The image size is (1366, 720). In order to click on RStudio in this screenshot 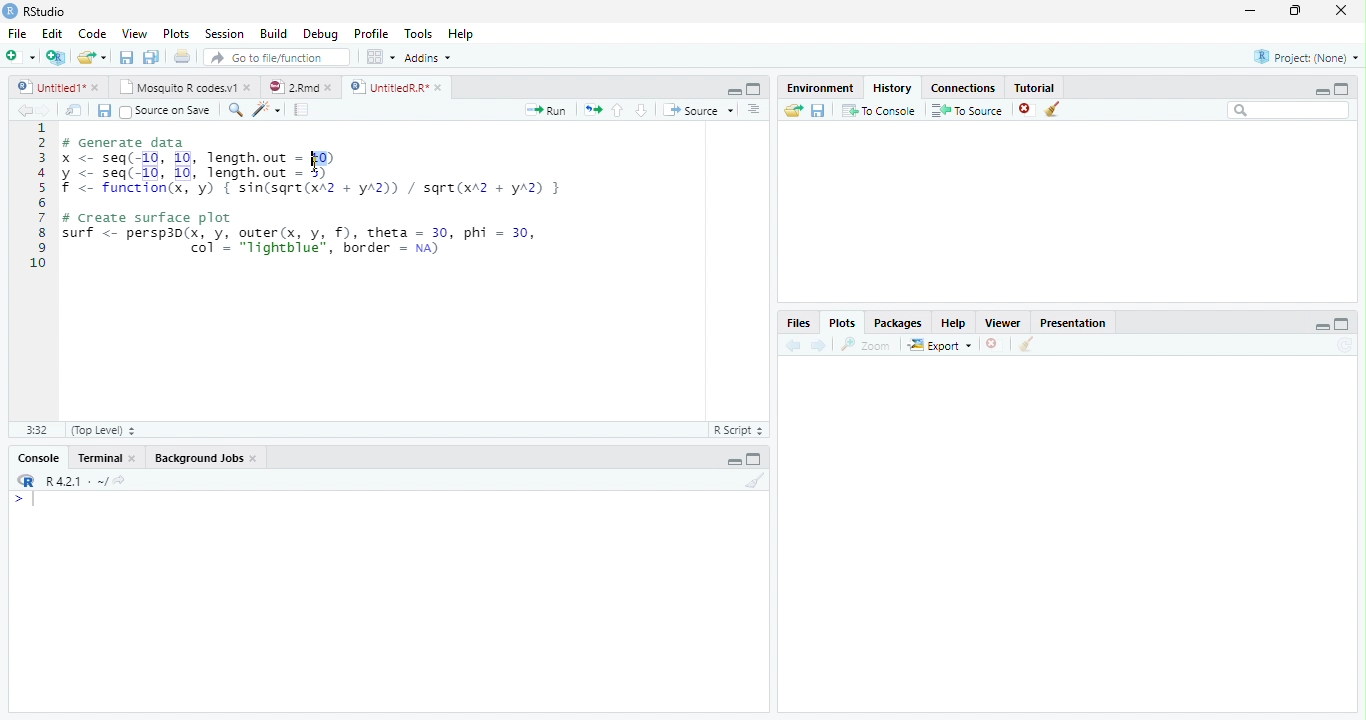, I will do `click(34, 11)`.